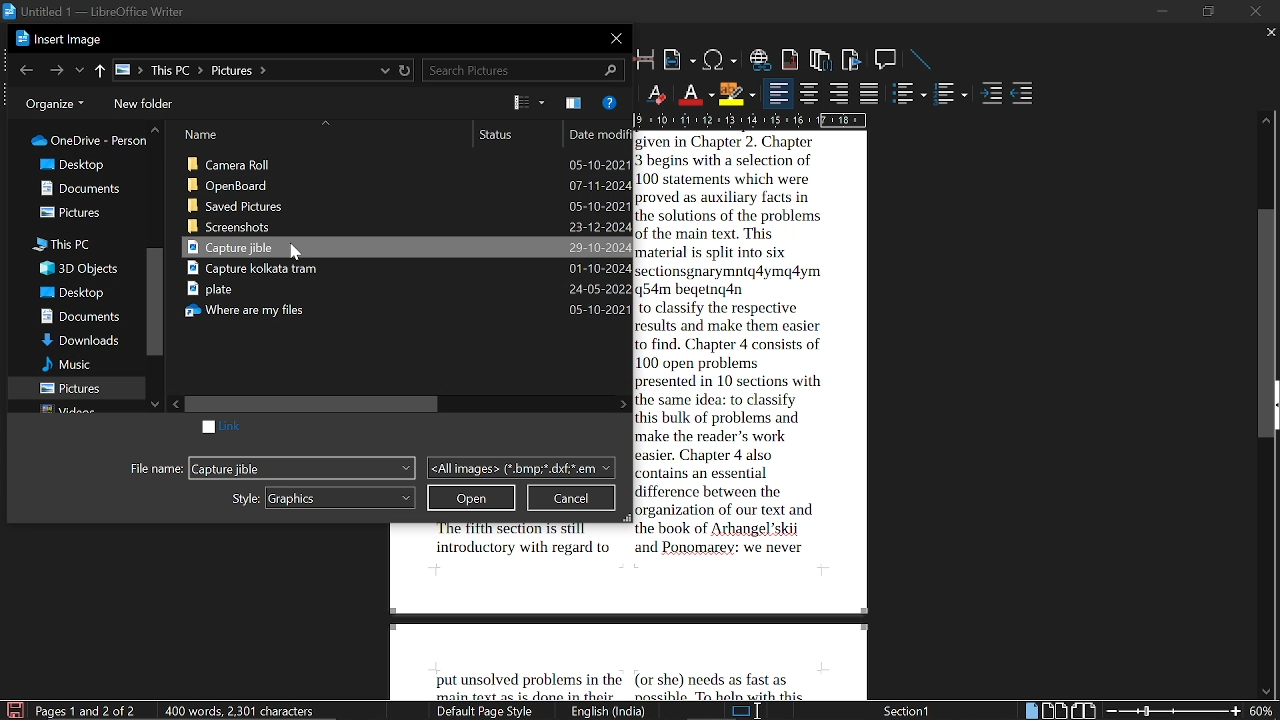  I want to click on book view, so click(1085, 711).